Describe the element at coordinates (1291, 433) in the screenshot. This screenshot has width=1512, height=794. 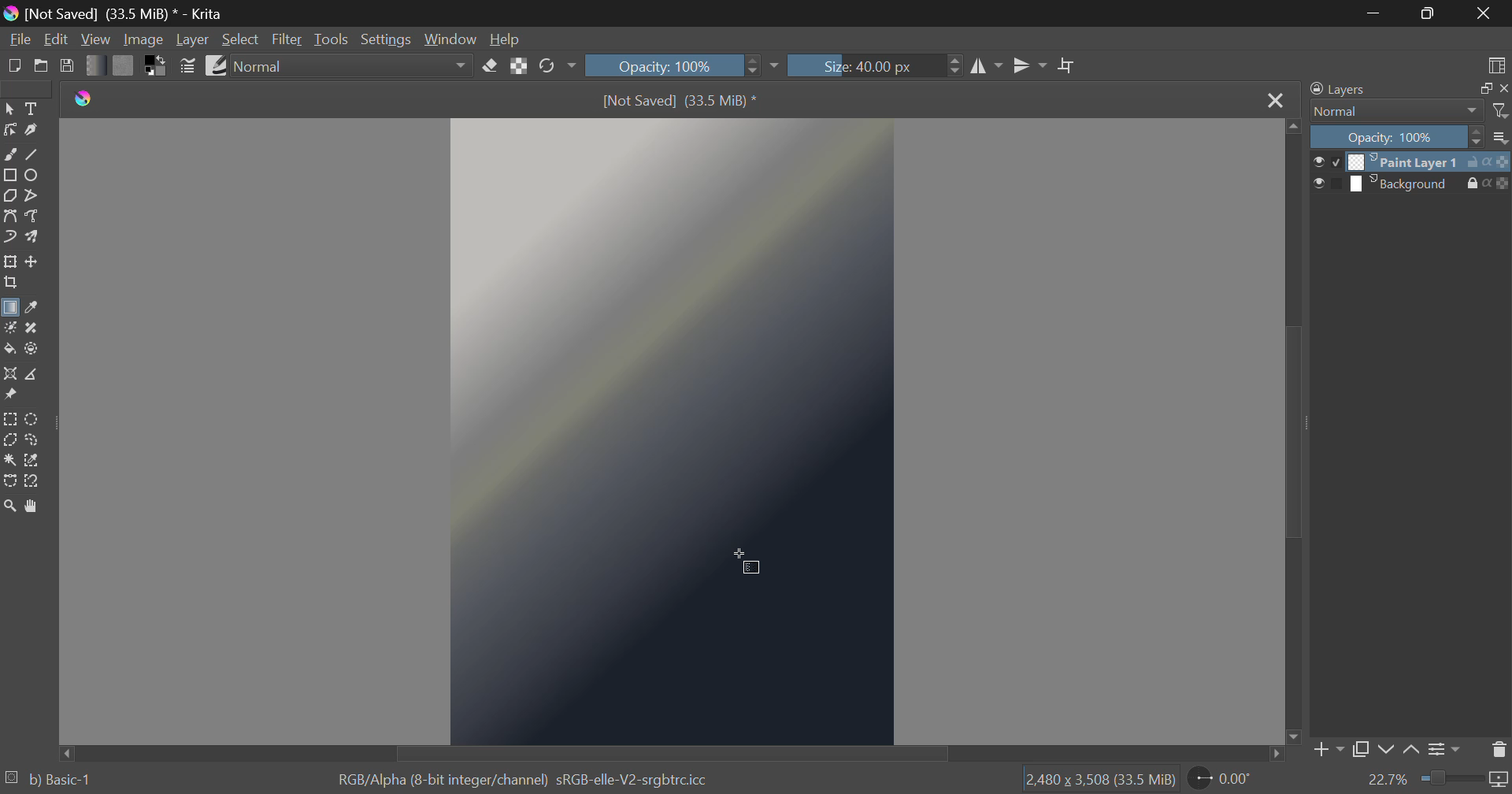
I see `Scroll Bar` at that location.